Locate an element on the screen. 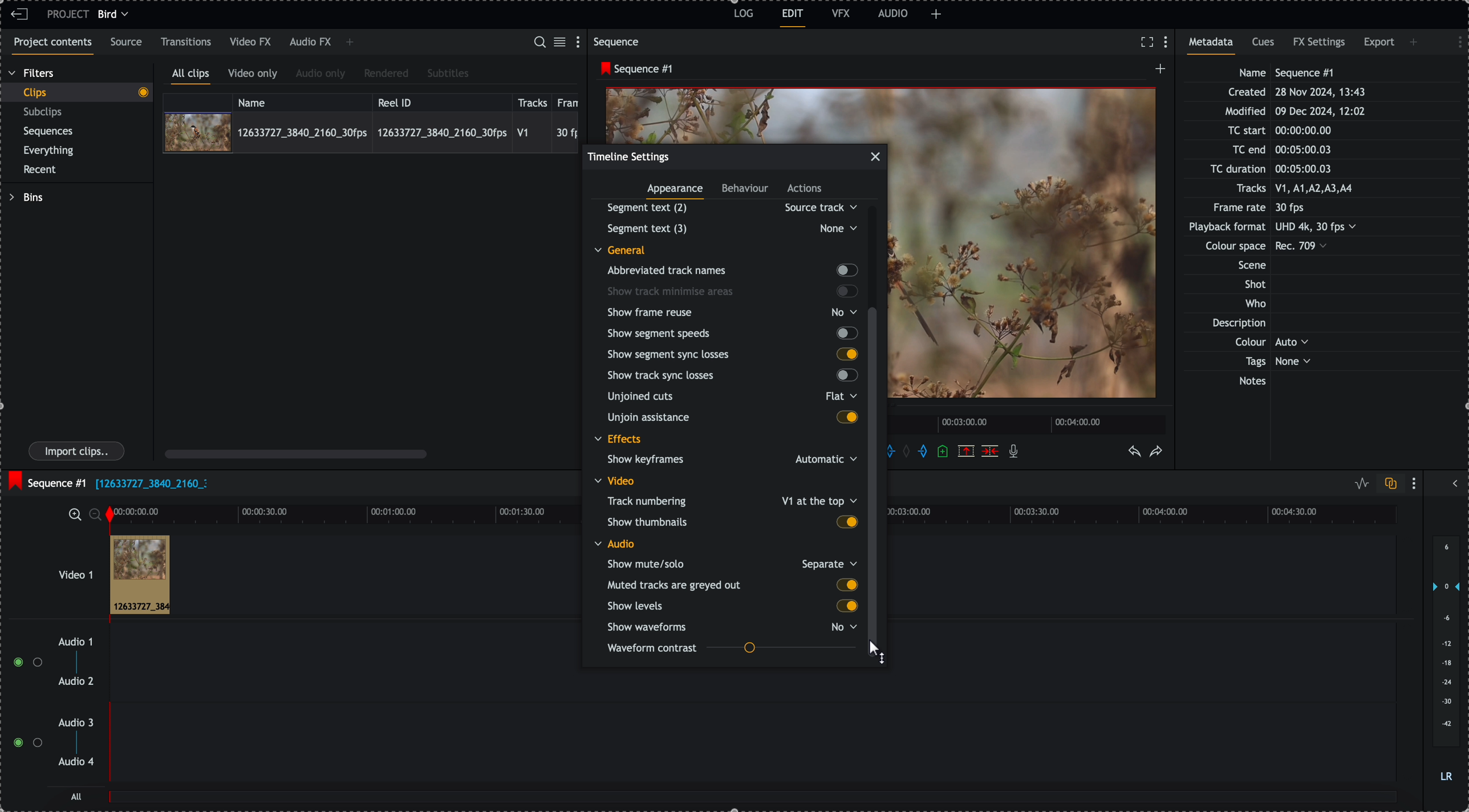  show mute/solo is located at coordinates (731, 563).